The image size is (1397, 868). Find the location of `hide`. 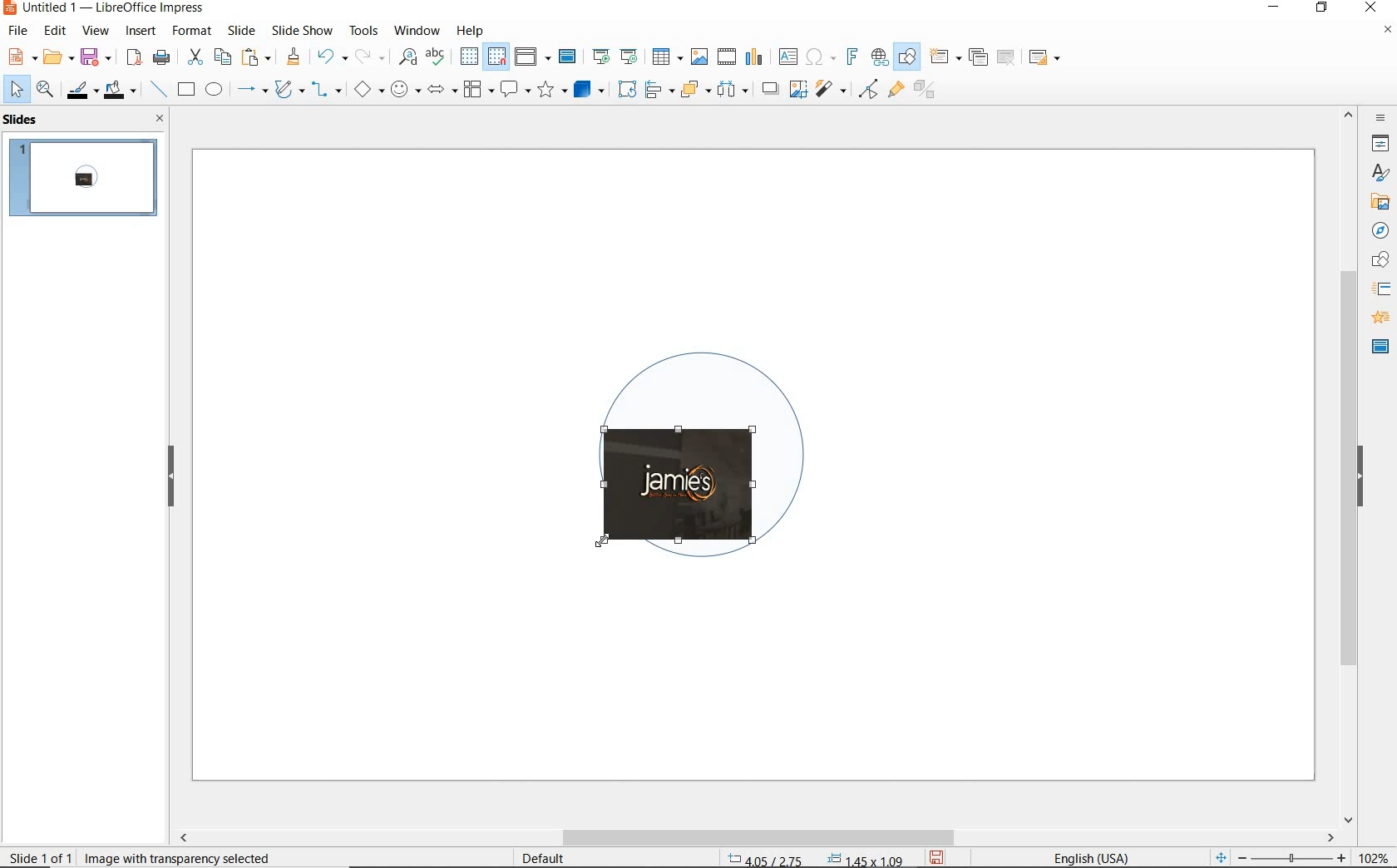

hide is located at coordinates (1360, 478).